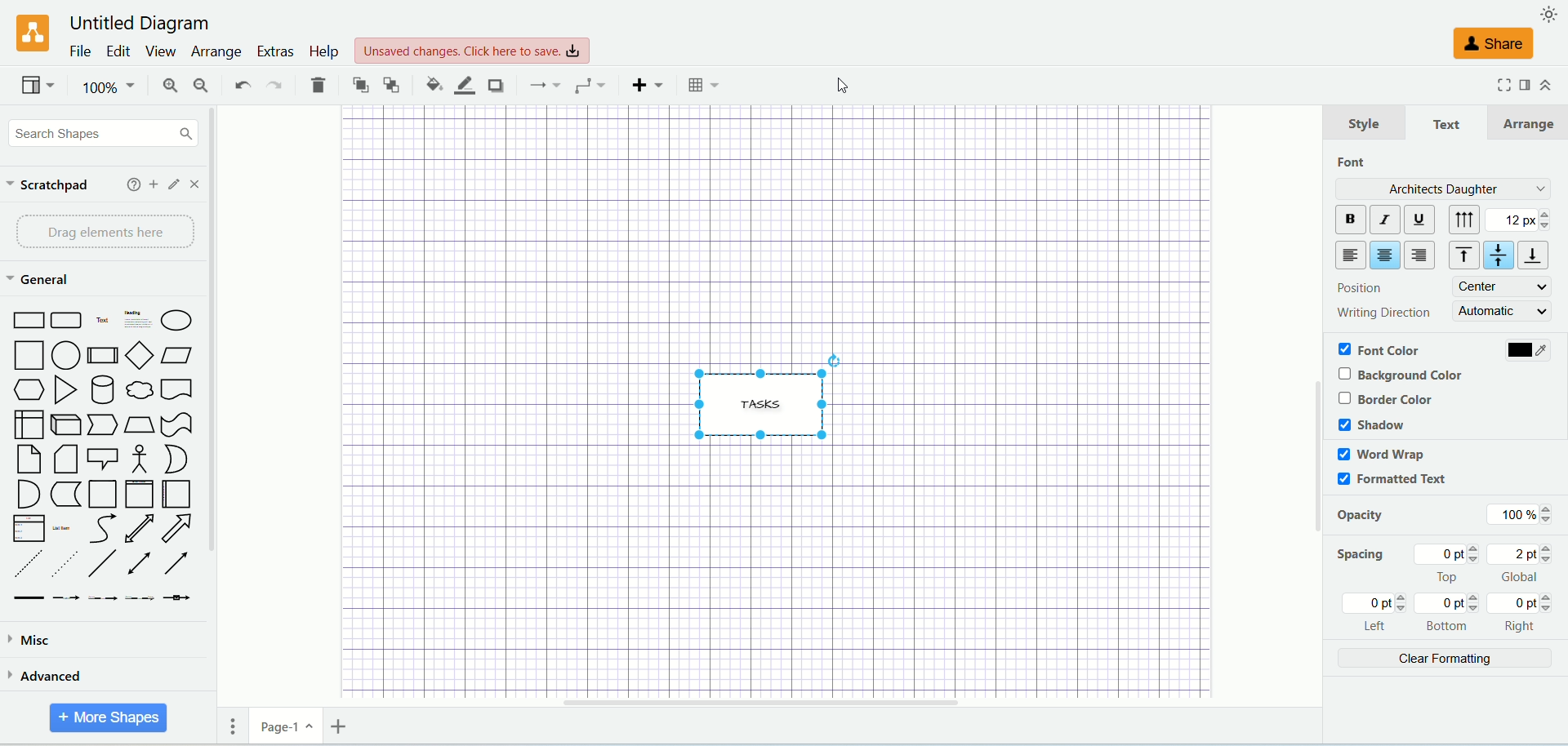 This screenshot has height=746, width=1568. I want to click on Cloud, so click(139, 389).